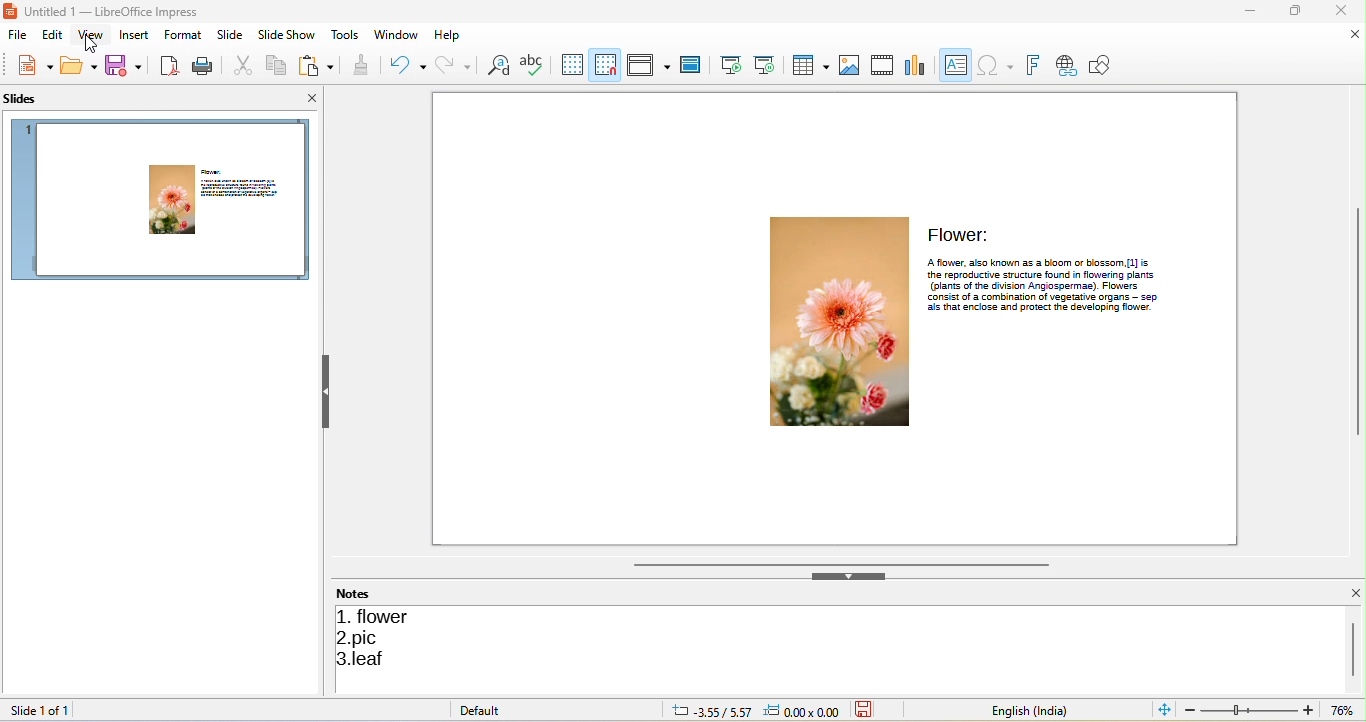 This screenshot has height=722, width=1366. Describe the element at coordinates (1249, 710) in the screenshot. I see `edit zoom` at that location.